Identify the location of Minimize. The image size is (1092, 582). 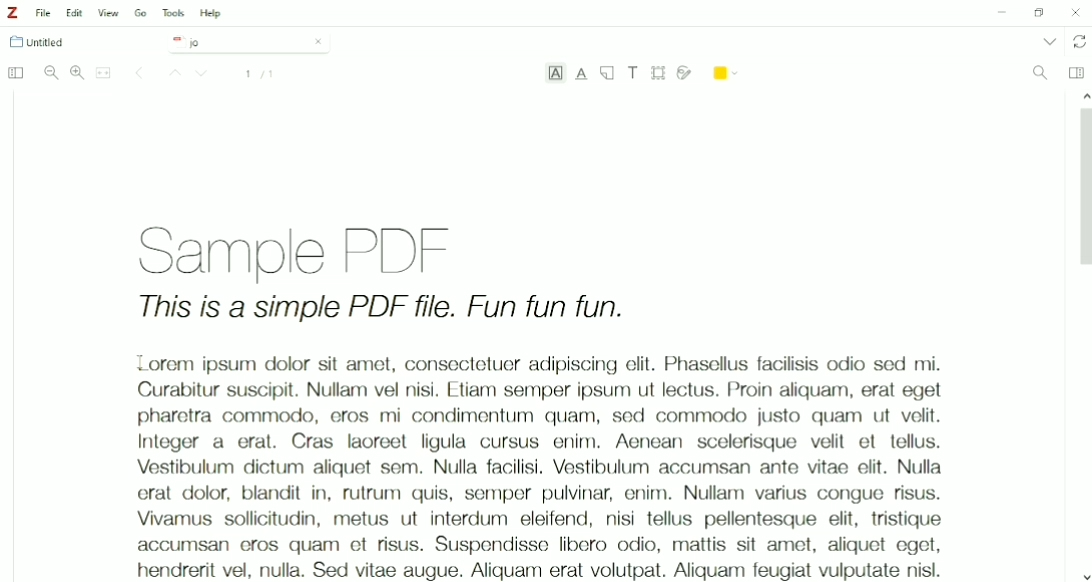
(999, 14).